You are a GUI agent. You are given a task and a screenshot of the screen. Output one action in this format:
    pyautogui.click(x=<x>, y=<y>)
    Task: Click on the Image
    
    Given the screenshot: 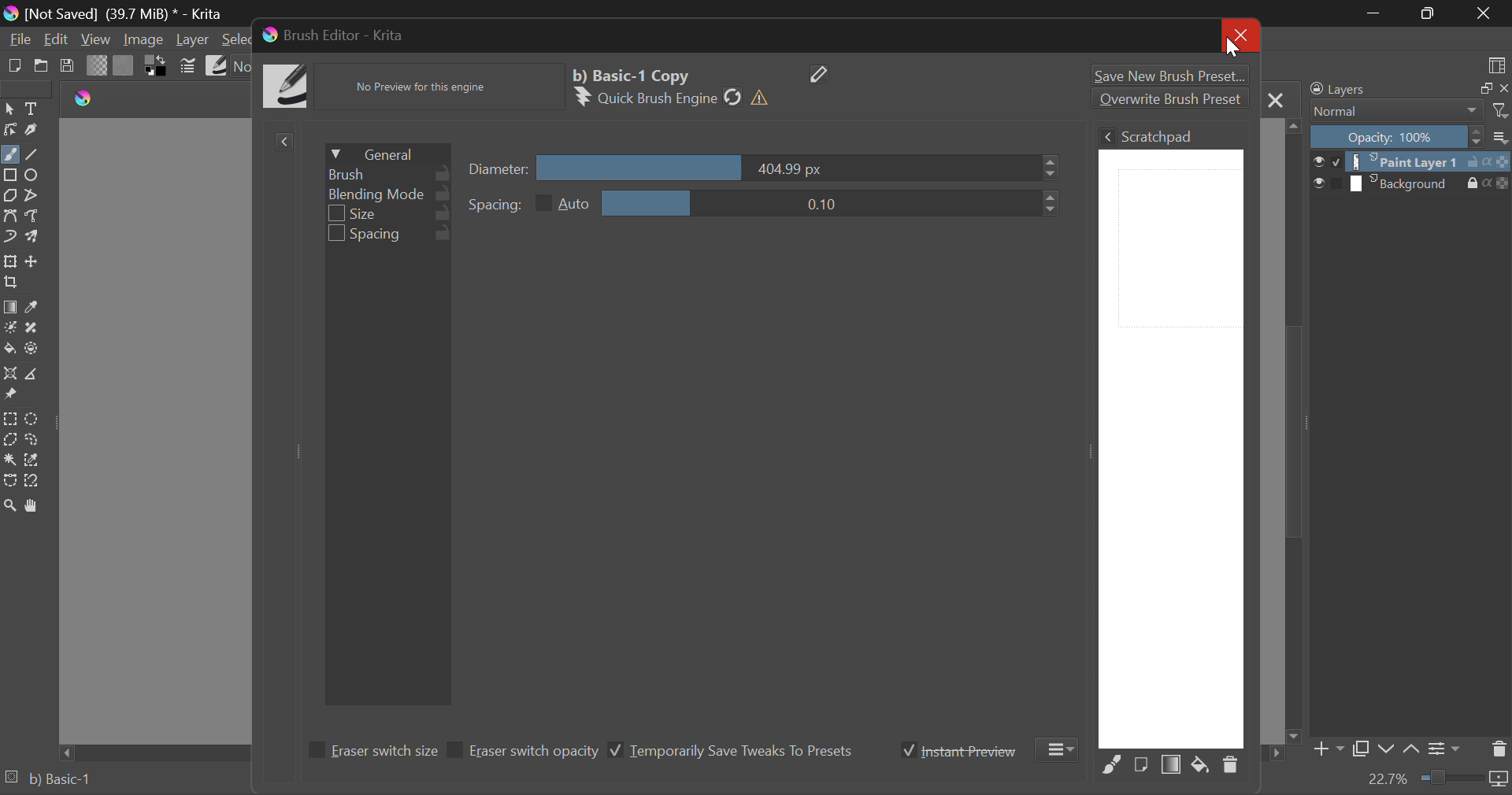 What is the action you would take?
    pyautogui.click(x=145, y=40)
    